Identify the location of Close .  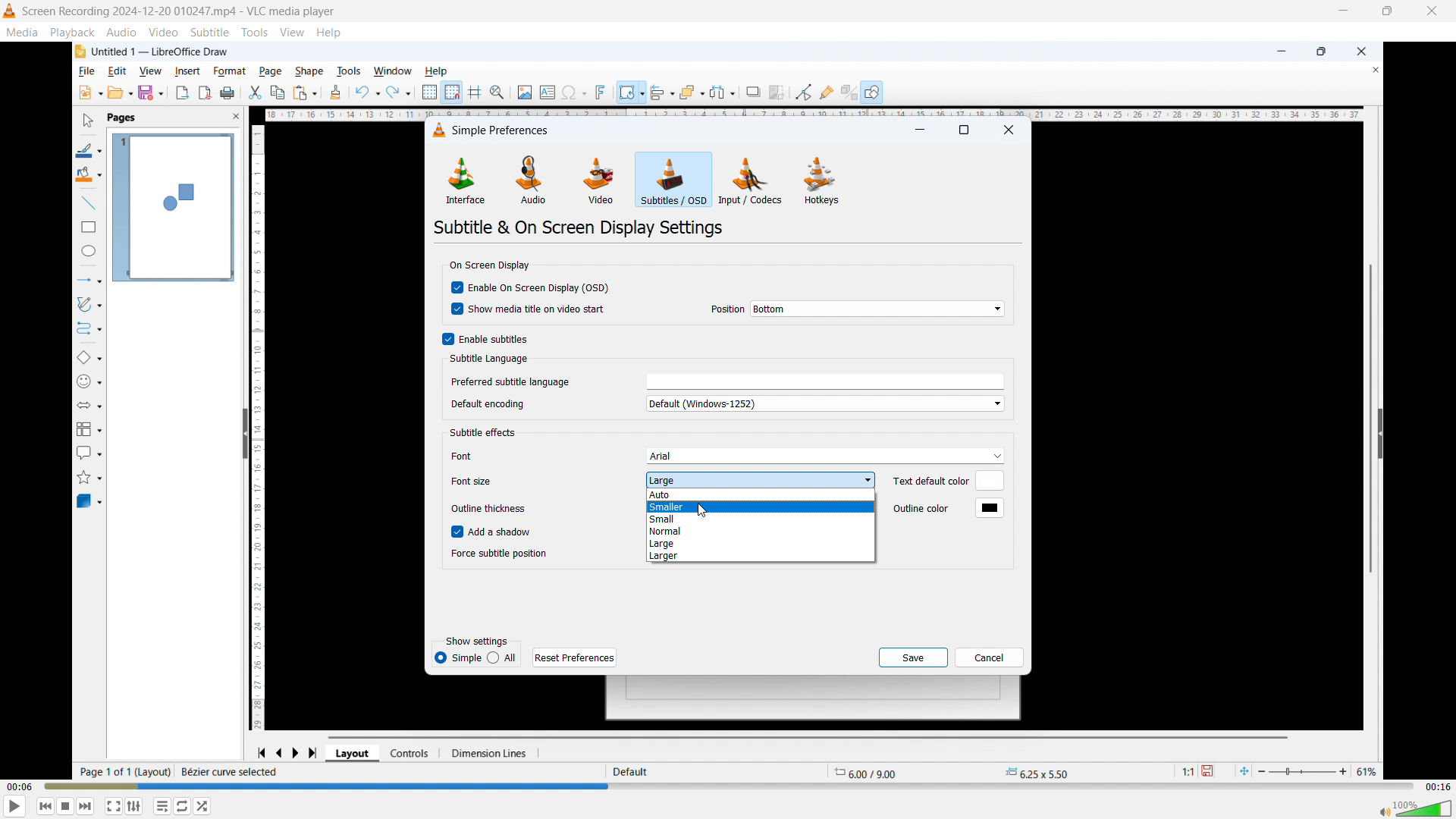
(1010, 130).